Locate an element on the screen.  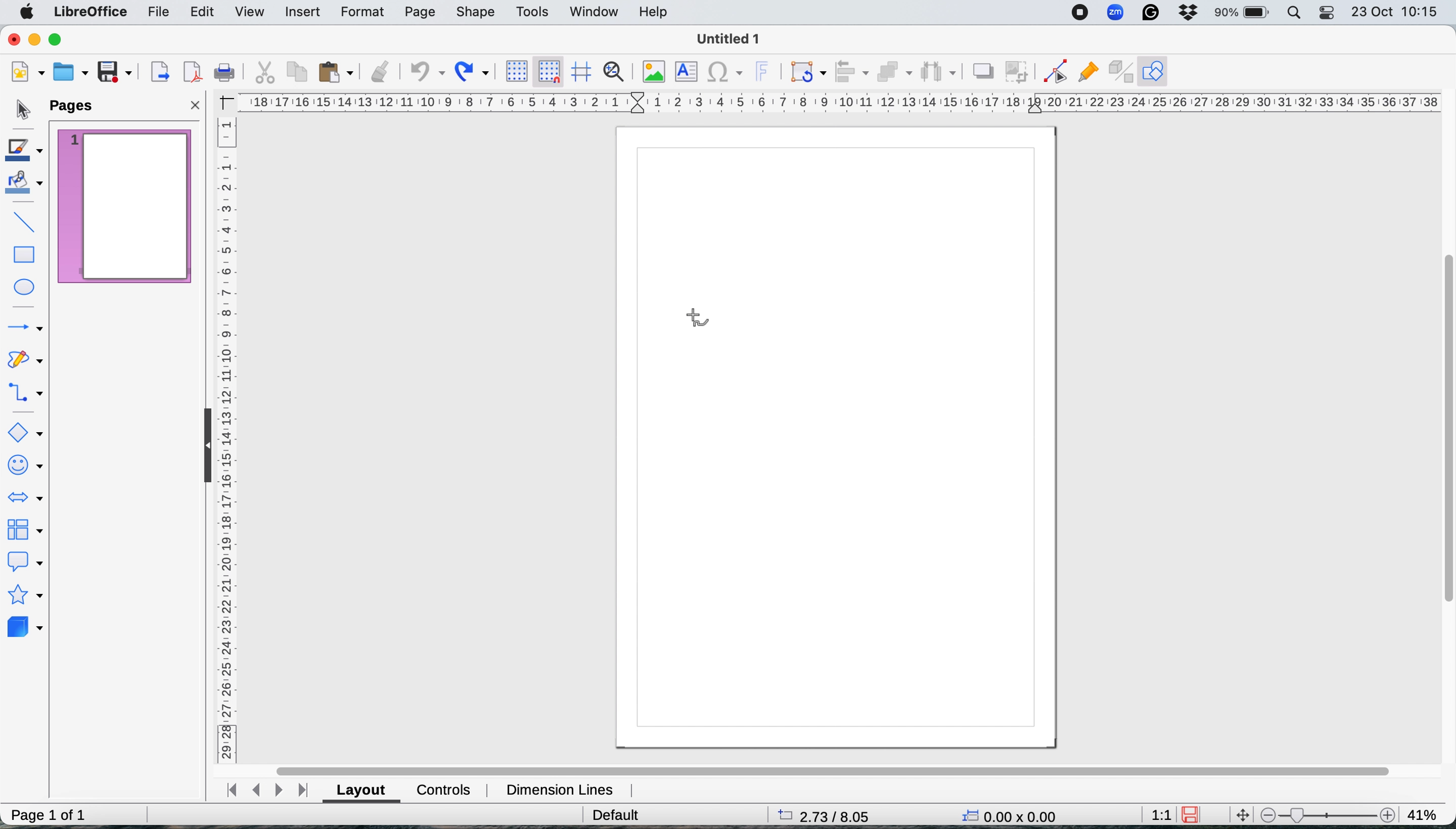
export is located at coordinates (159, 71).